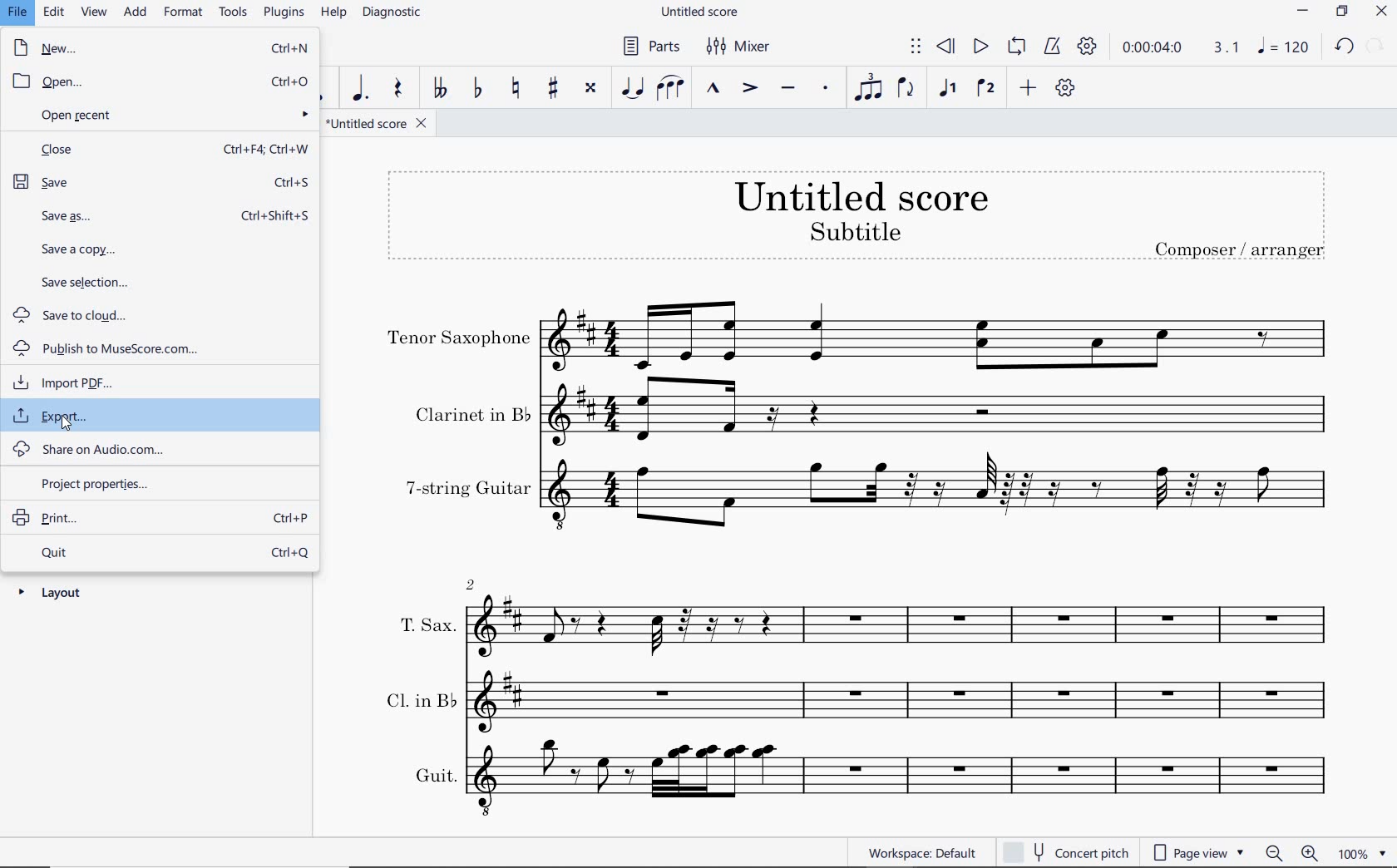 This screenshot has width=1397, height=868. What do you see at coordinates (858, 780) in the screenshot?
I see `Guit.` at bounding box center [858, 780].